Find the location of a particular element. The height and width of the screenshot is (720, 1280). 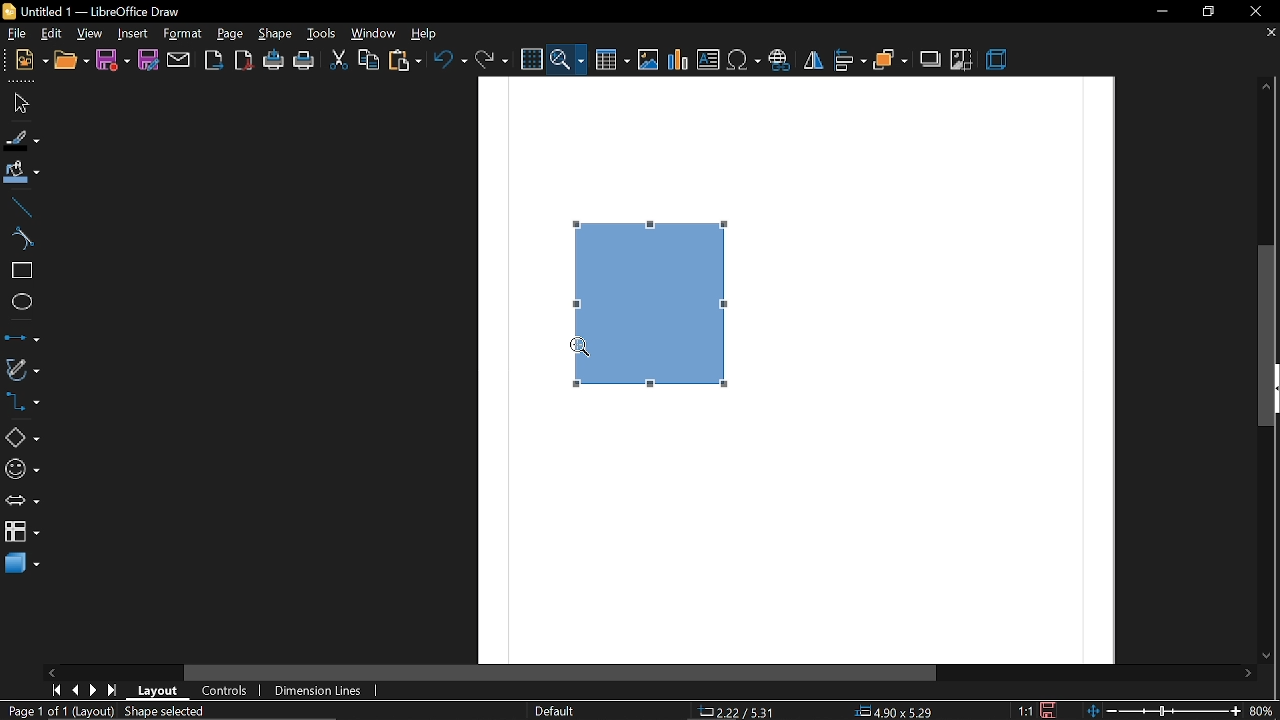

connectors is located at coordinates (22, 404).